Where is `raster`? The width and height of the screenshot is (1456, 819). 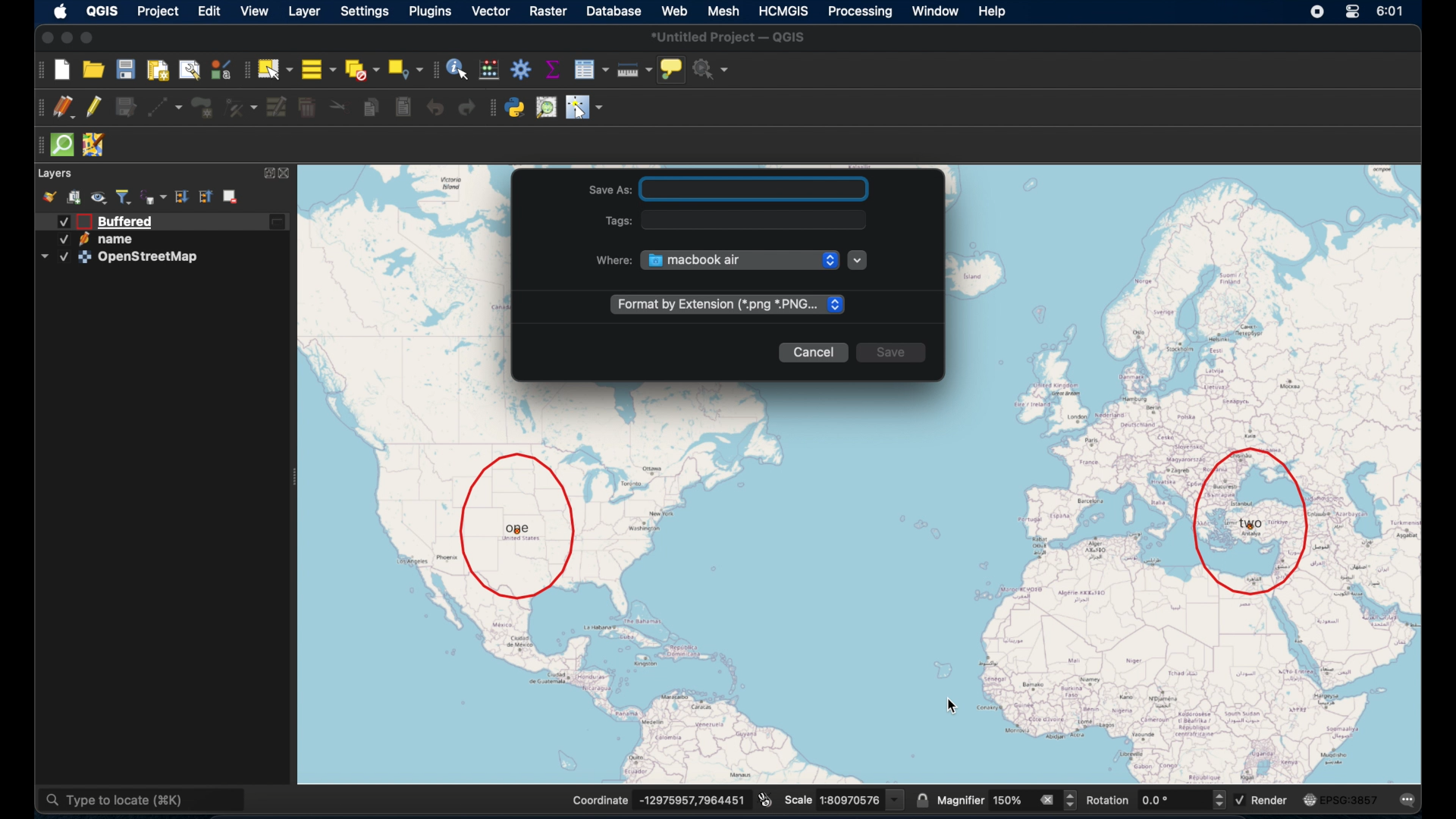
raster is located at coordinates (549, 11).